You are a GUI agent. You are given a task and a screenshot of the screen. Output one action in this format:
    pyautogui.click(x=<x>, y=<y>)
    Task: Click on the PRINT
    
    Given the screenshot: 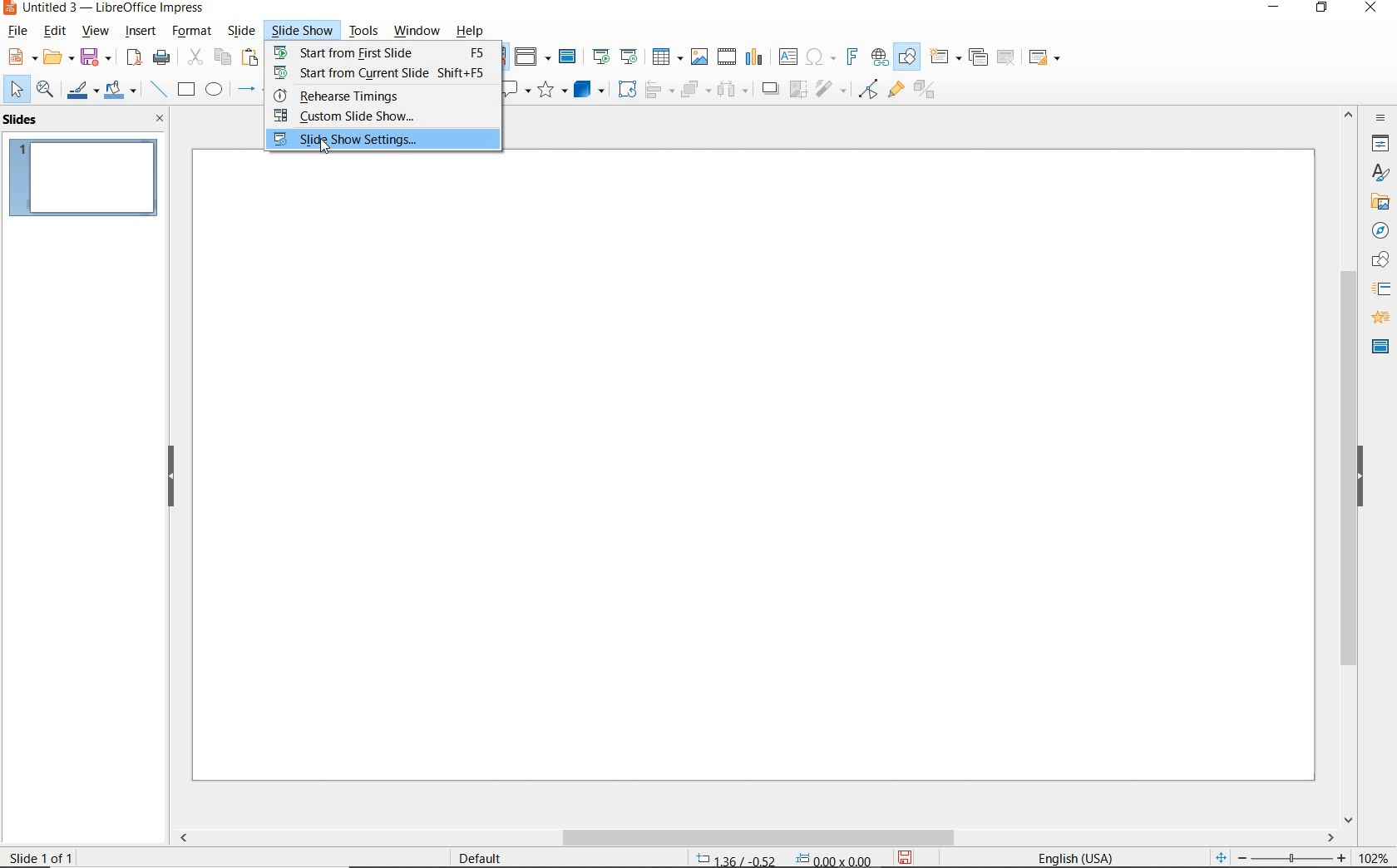 What is the action you would take?
    pyautogui.click(x=162, y=58)
    